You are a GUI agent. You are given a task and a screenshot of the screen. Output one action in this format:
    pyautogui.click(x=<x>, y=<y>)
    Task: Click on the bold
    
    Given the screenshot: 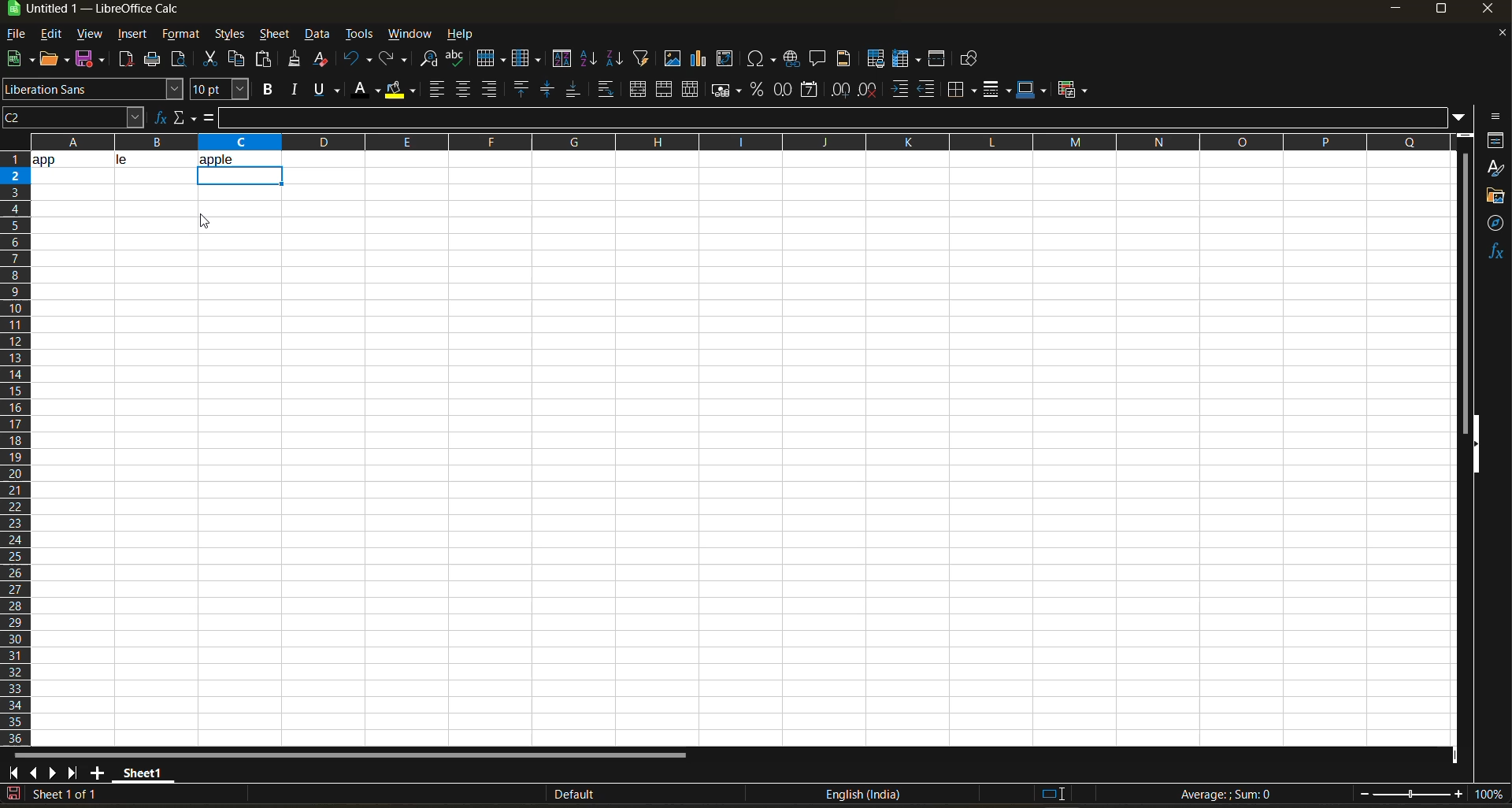 What is the action you would take?
    pyautogui.click(x=265, y=90)
    